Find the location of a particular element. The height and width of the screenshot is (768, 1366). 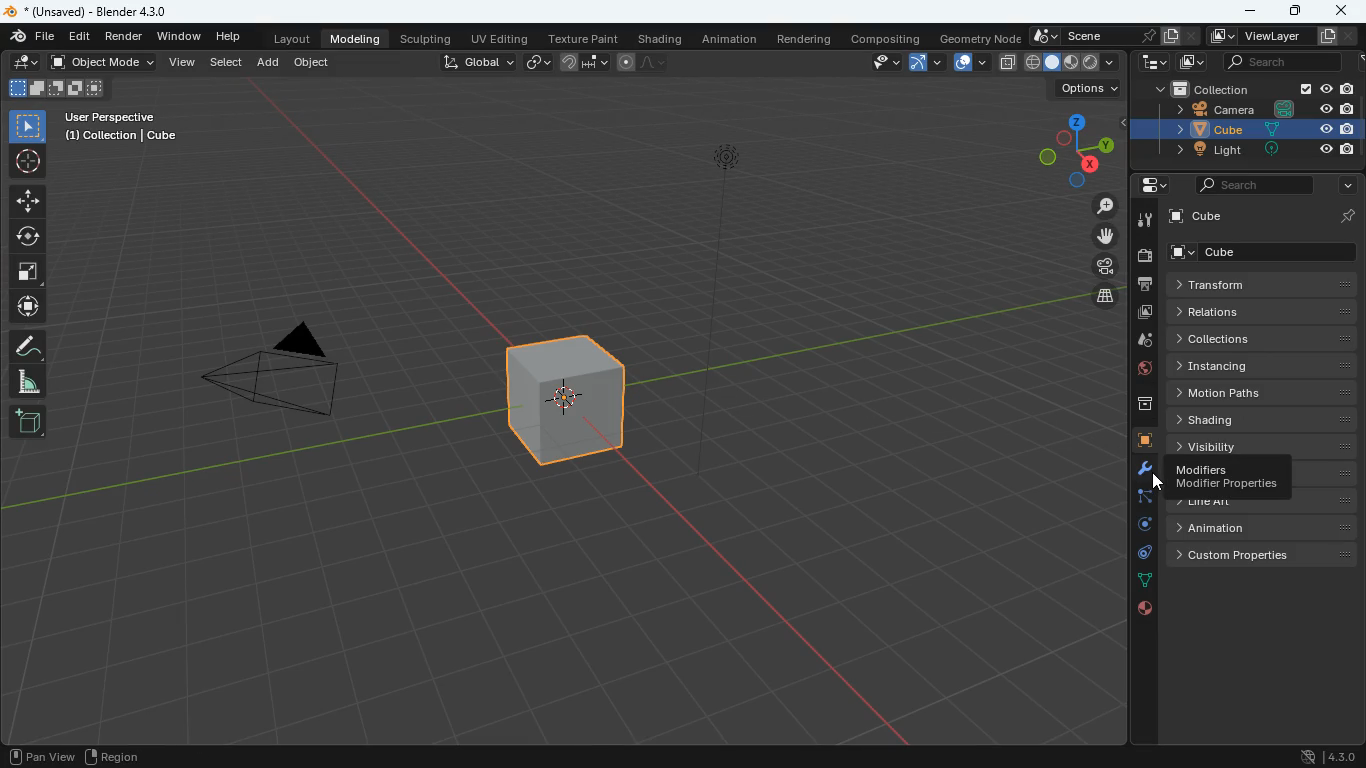

custom properties is located at coordinates (1263, 556).